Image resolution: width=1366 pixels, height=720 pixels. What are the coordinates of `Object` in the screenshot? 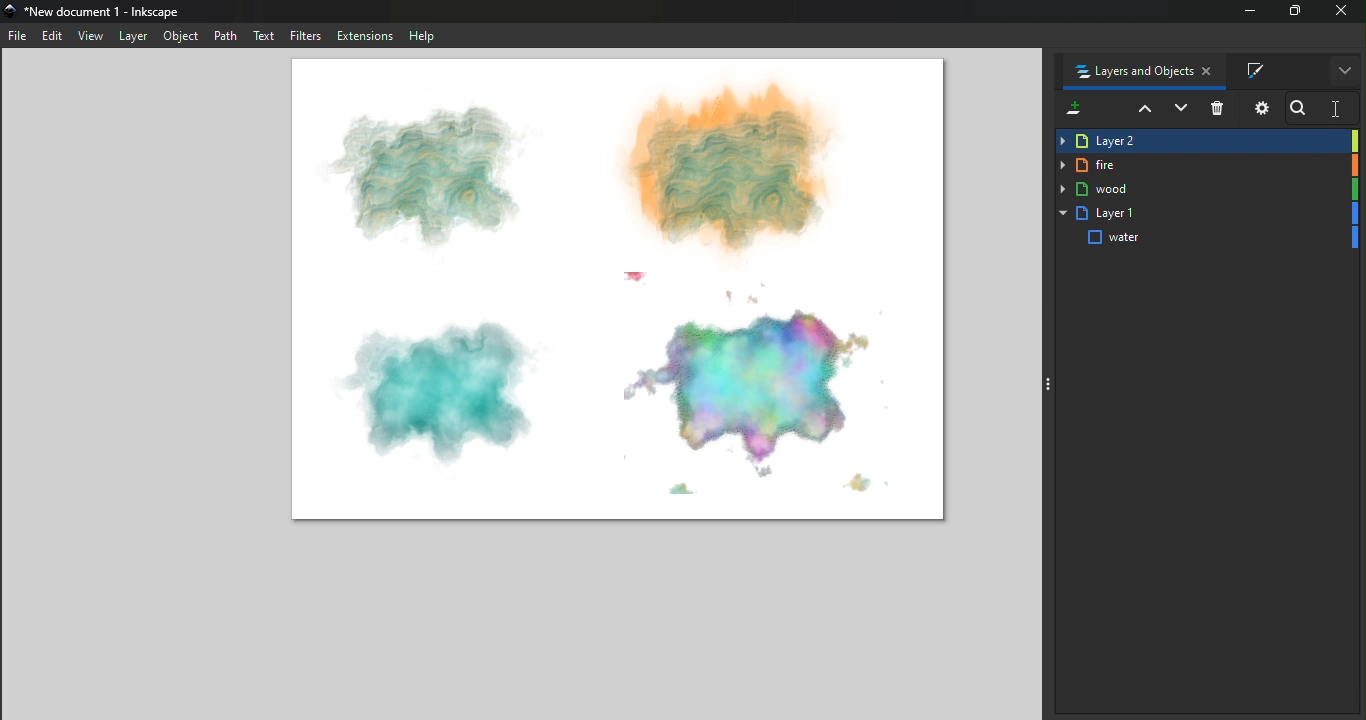 It's located at (182, 37).